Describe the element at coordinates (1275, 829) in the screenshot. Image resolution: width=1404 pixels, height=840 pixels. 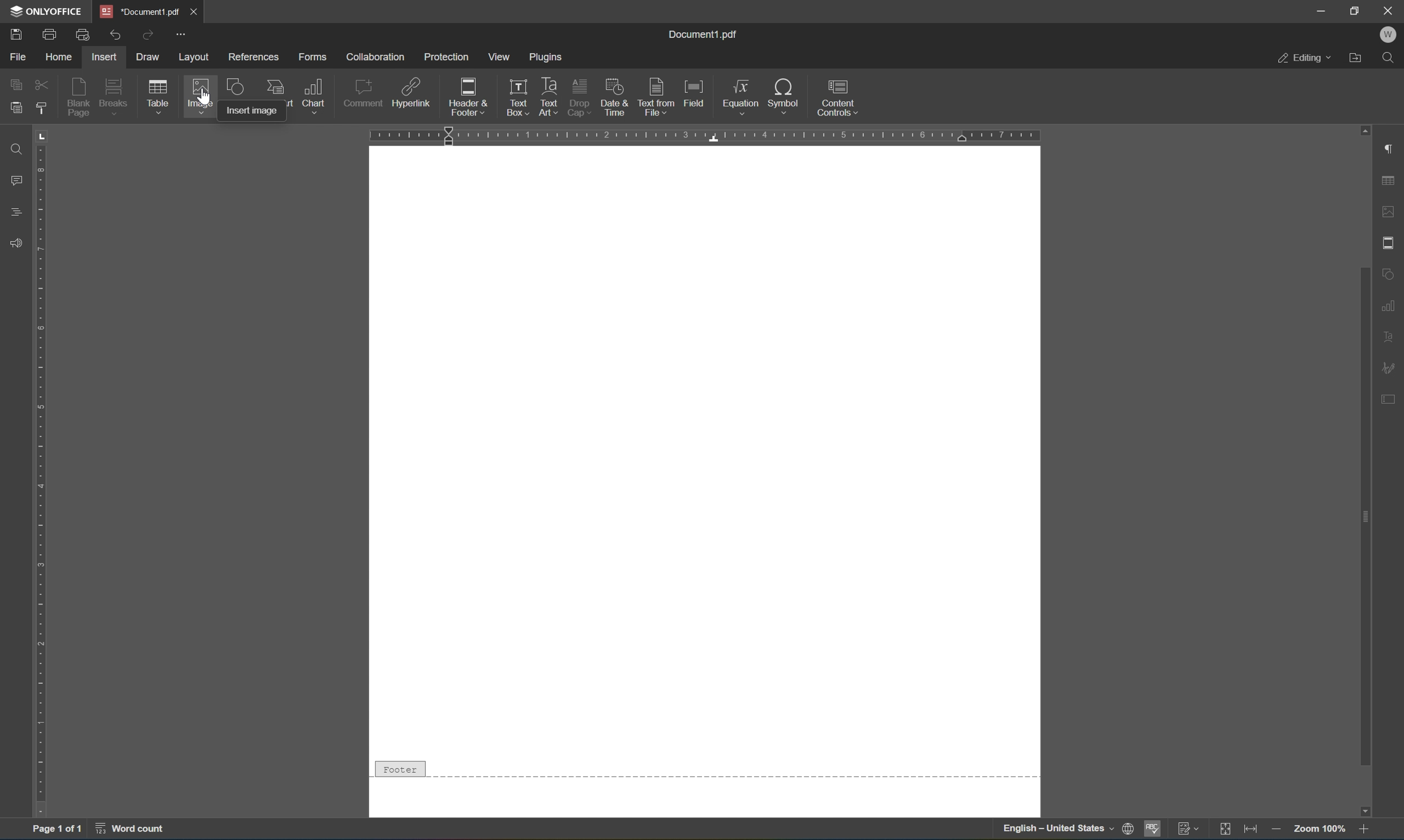
I see `zoom out` at that location.